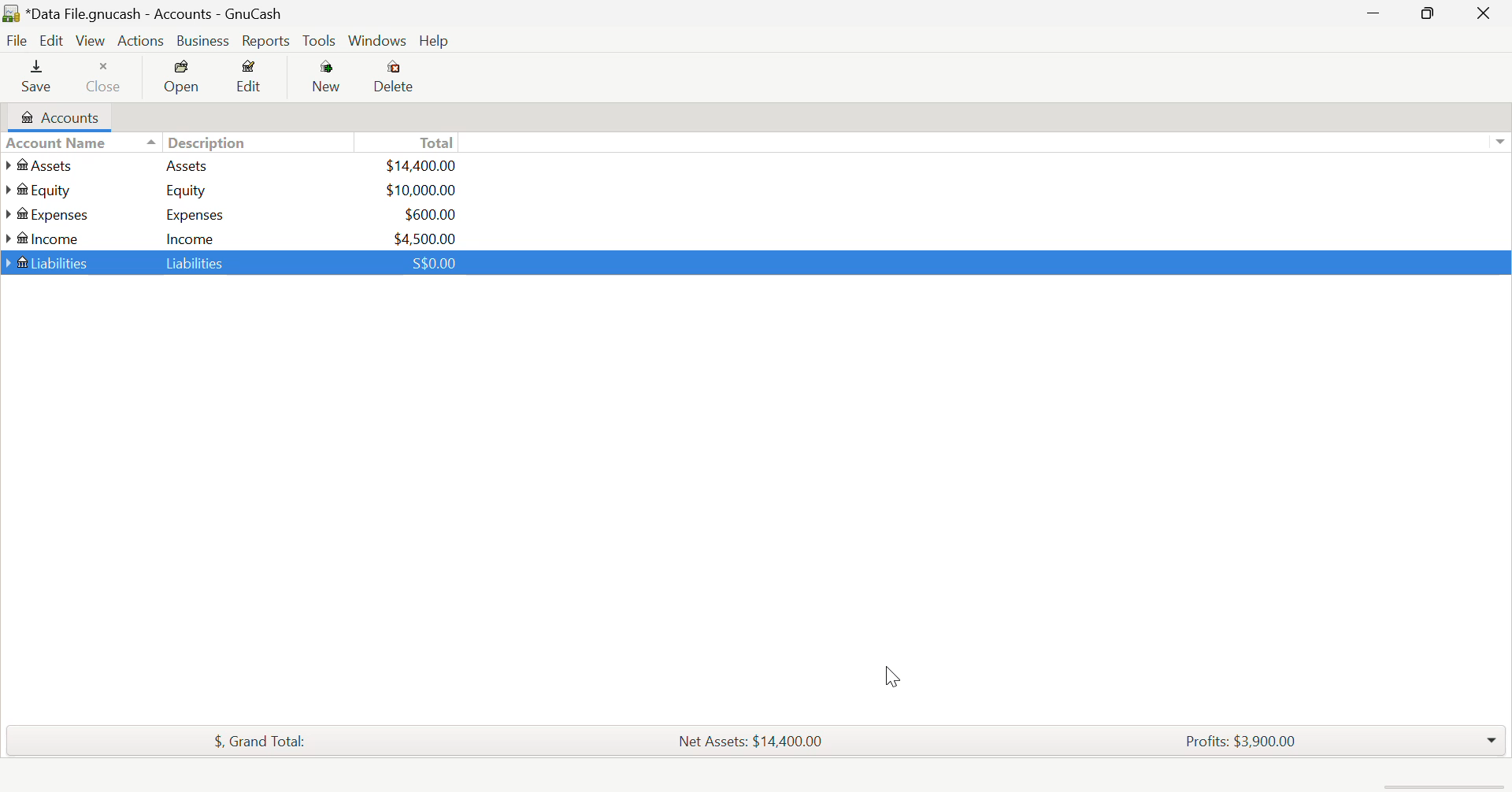 The image size is (1512, 792). I want to click on Profits, so click(1234, 739).